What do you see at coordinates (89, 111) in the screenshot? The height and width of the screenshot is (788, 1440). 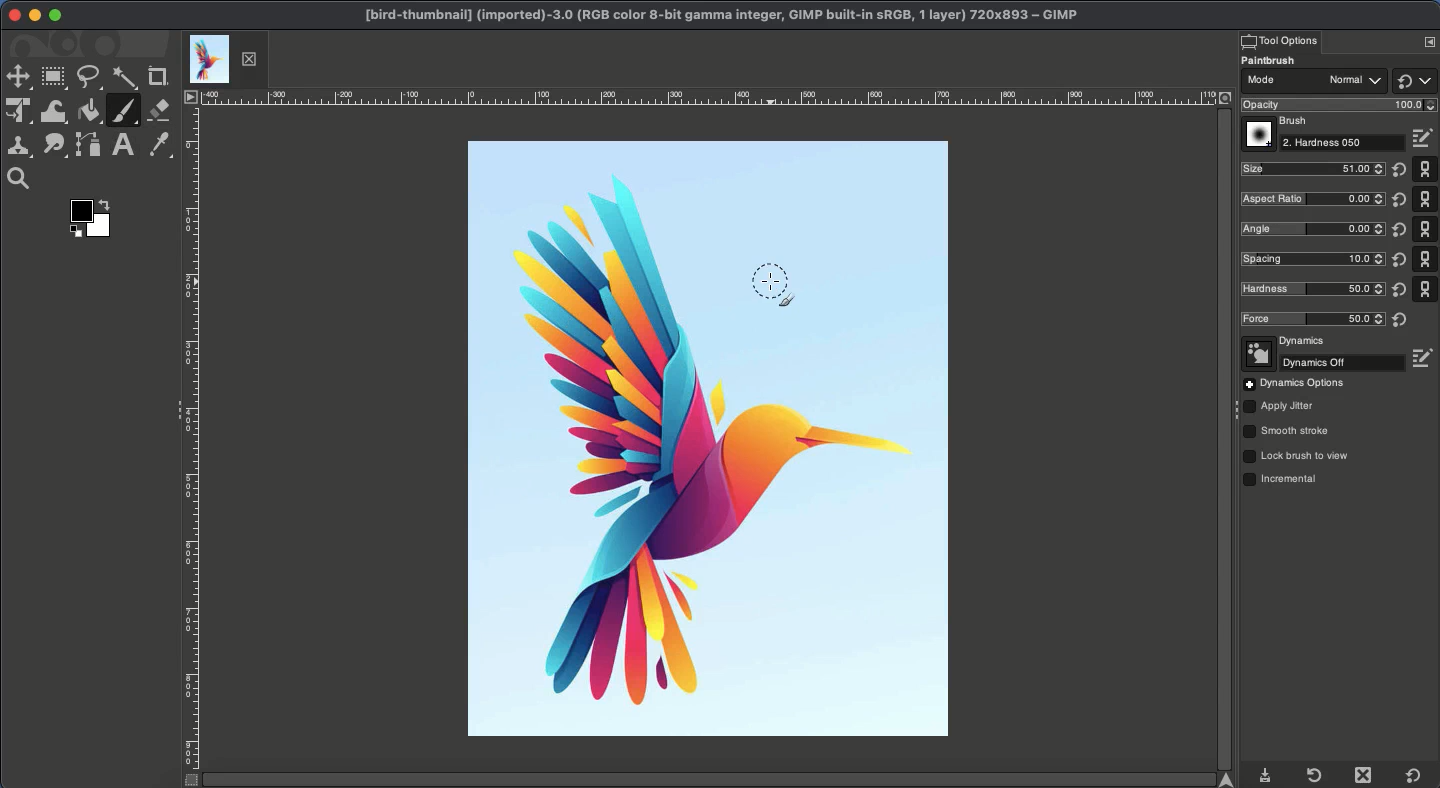 I see `Fill color` at bounding box center [89, 111].